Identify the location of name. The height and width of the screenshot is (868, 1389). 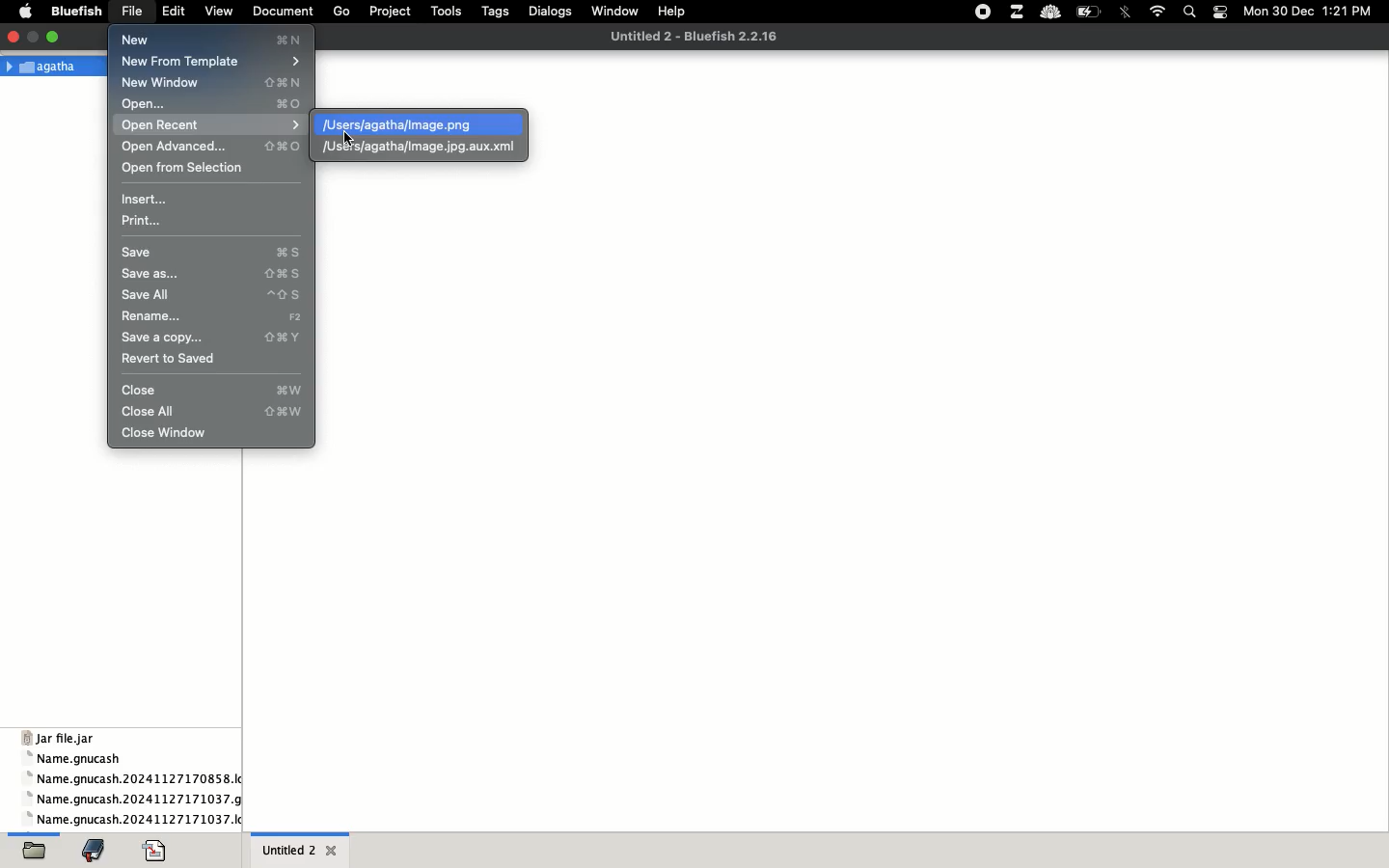
(134, 819).